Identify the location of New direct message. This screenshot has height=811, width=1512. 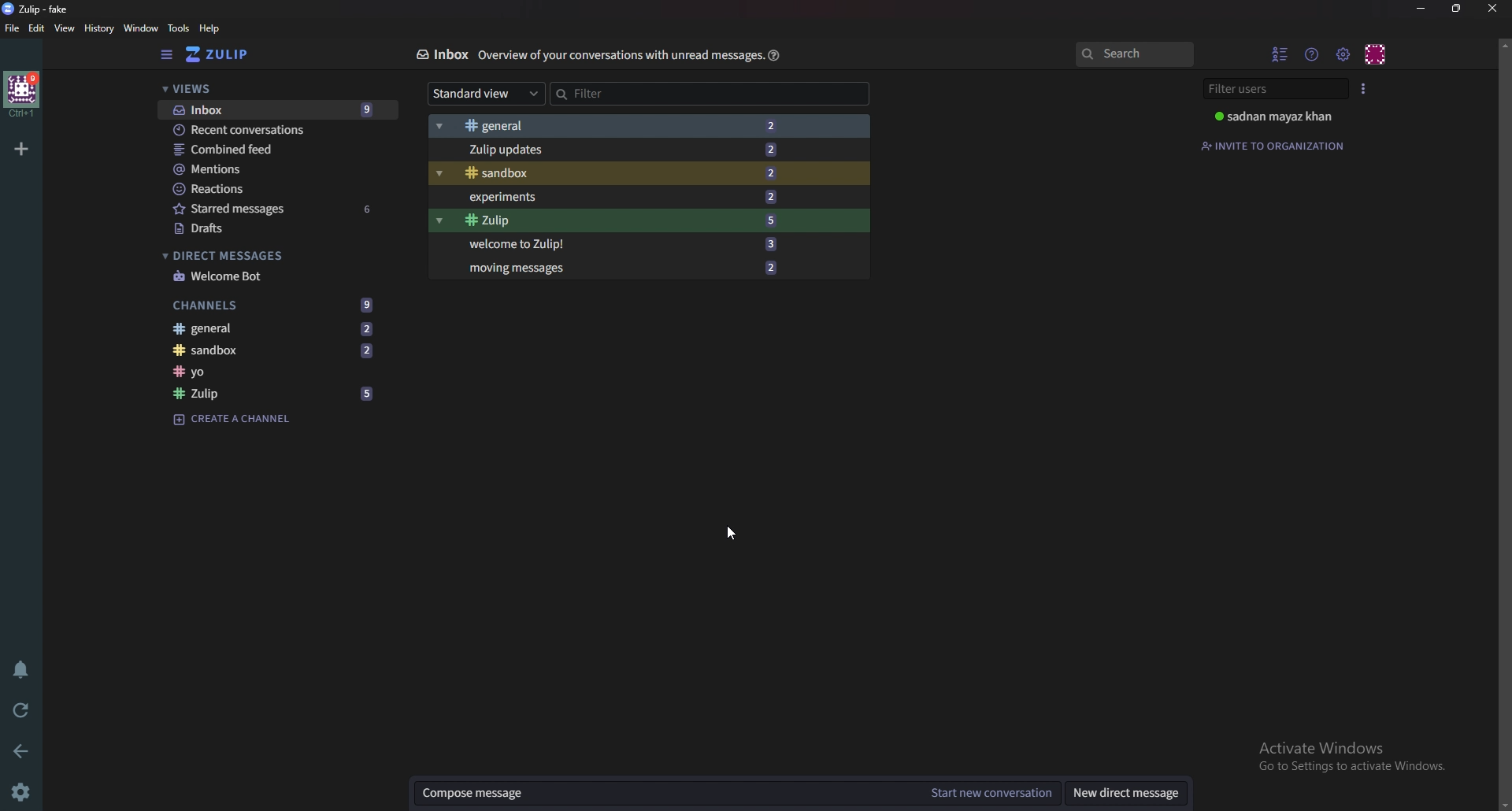
(1130, 793).